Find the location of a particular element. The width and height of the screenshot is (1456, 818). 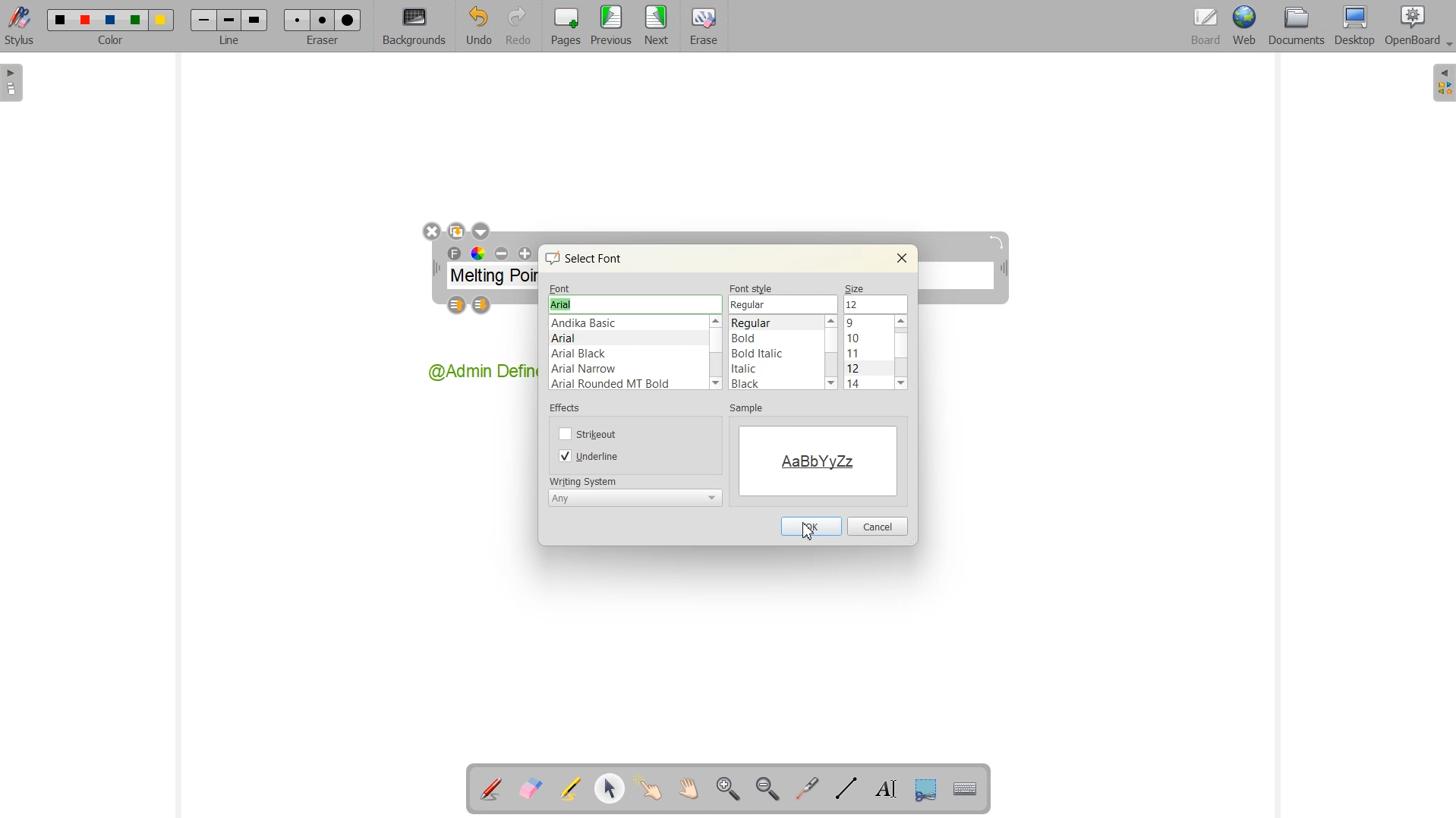

Writing System is located at coordinates (635, 497).